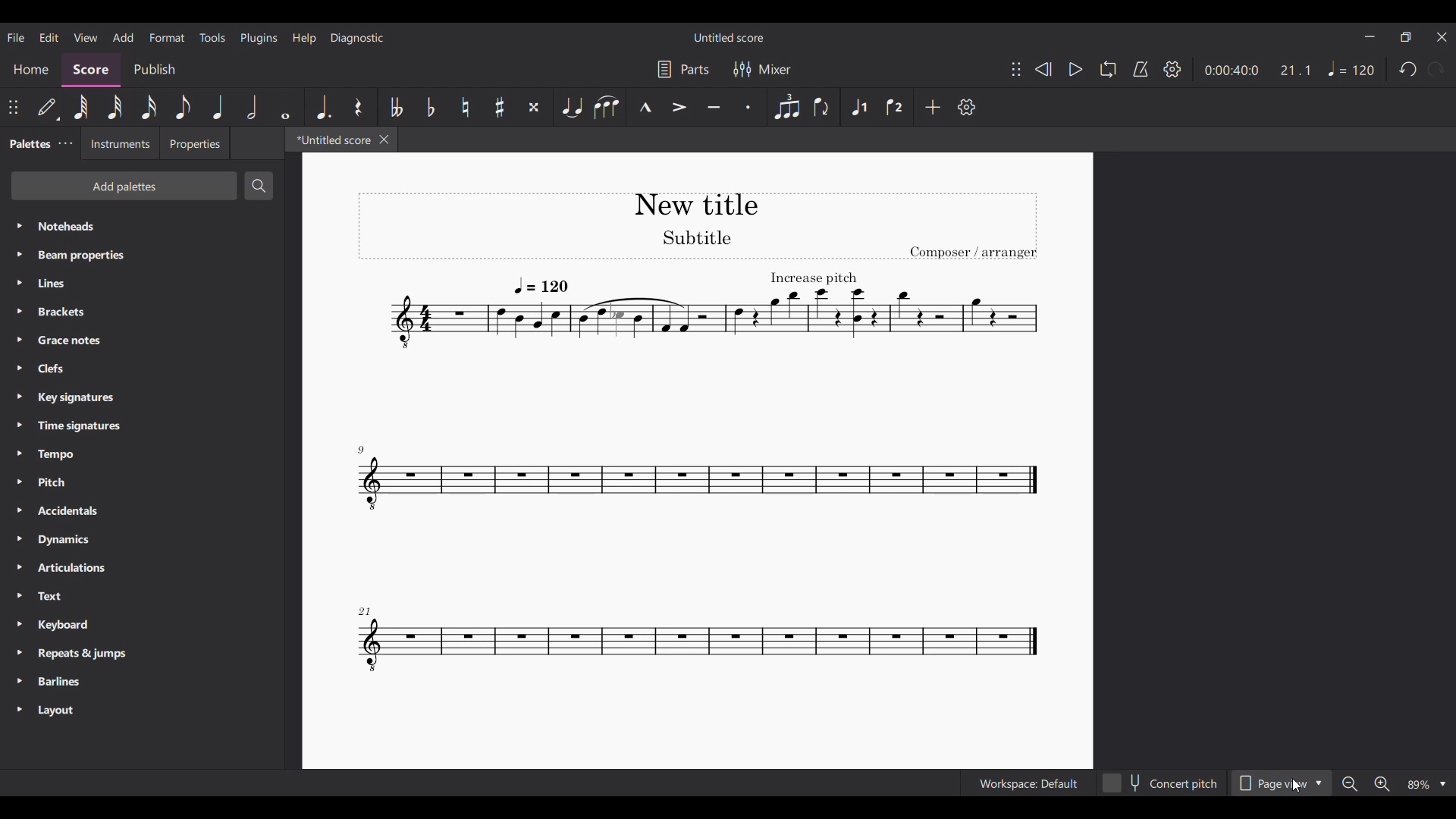 The image size is (1456, 819). Describe the element at coordinates (1409, 69) in the screenshot. I see `Undo` at that location.